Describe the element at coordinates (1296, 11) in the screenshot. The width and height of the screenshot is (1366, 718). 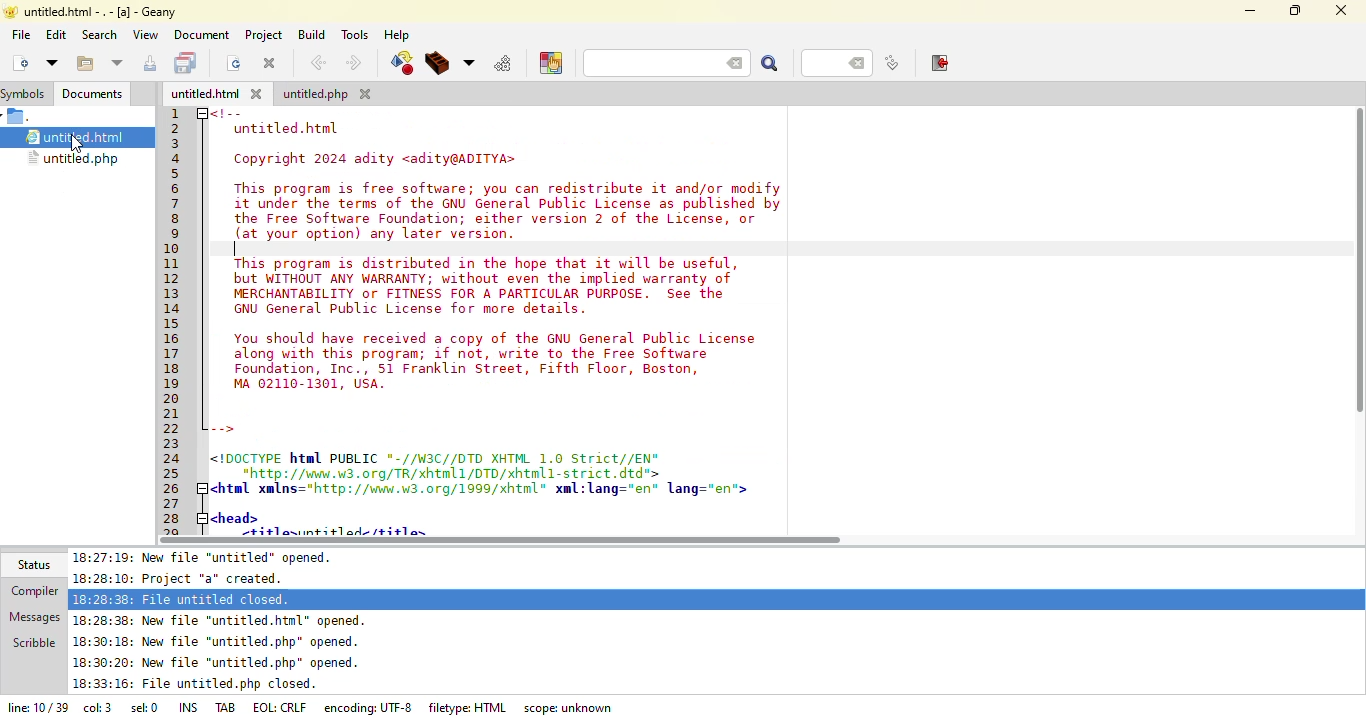
I see `maximize` at that location.